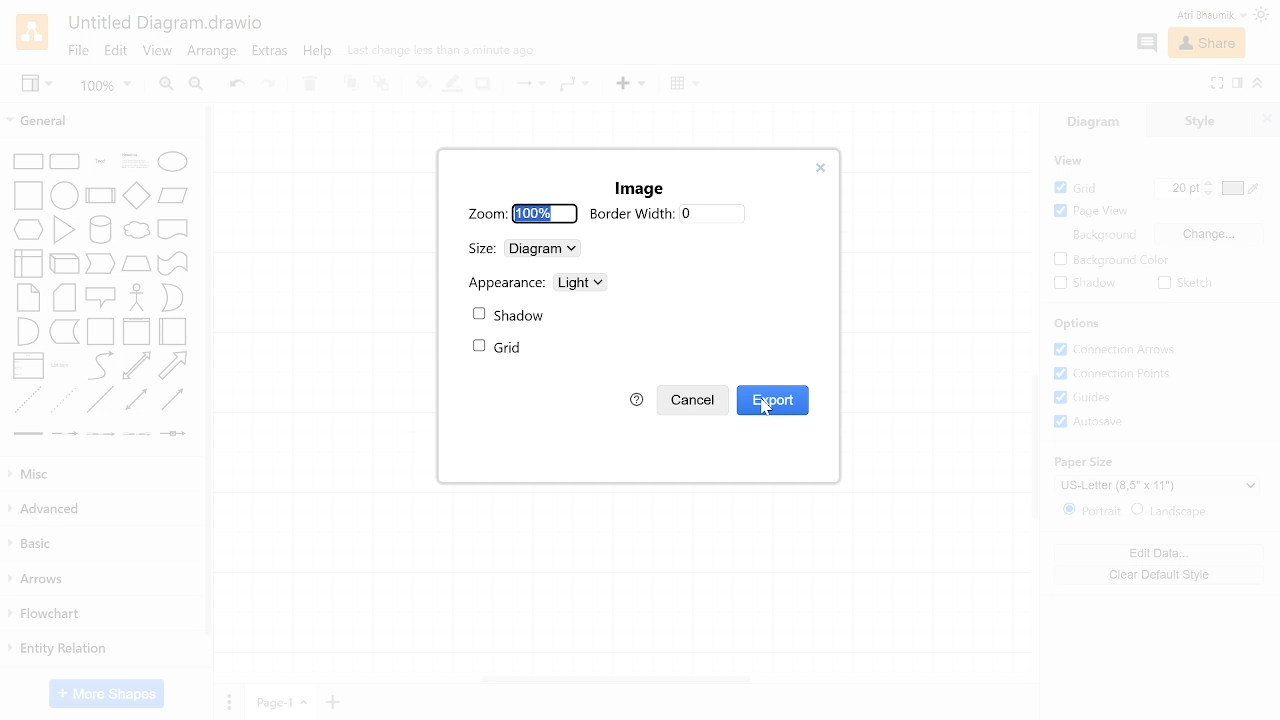 The height and width of the screenshot is (720, 1280). Describe the element at coordinates (196, 23) in the screenshot. I see `Save` at that location.